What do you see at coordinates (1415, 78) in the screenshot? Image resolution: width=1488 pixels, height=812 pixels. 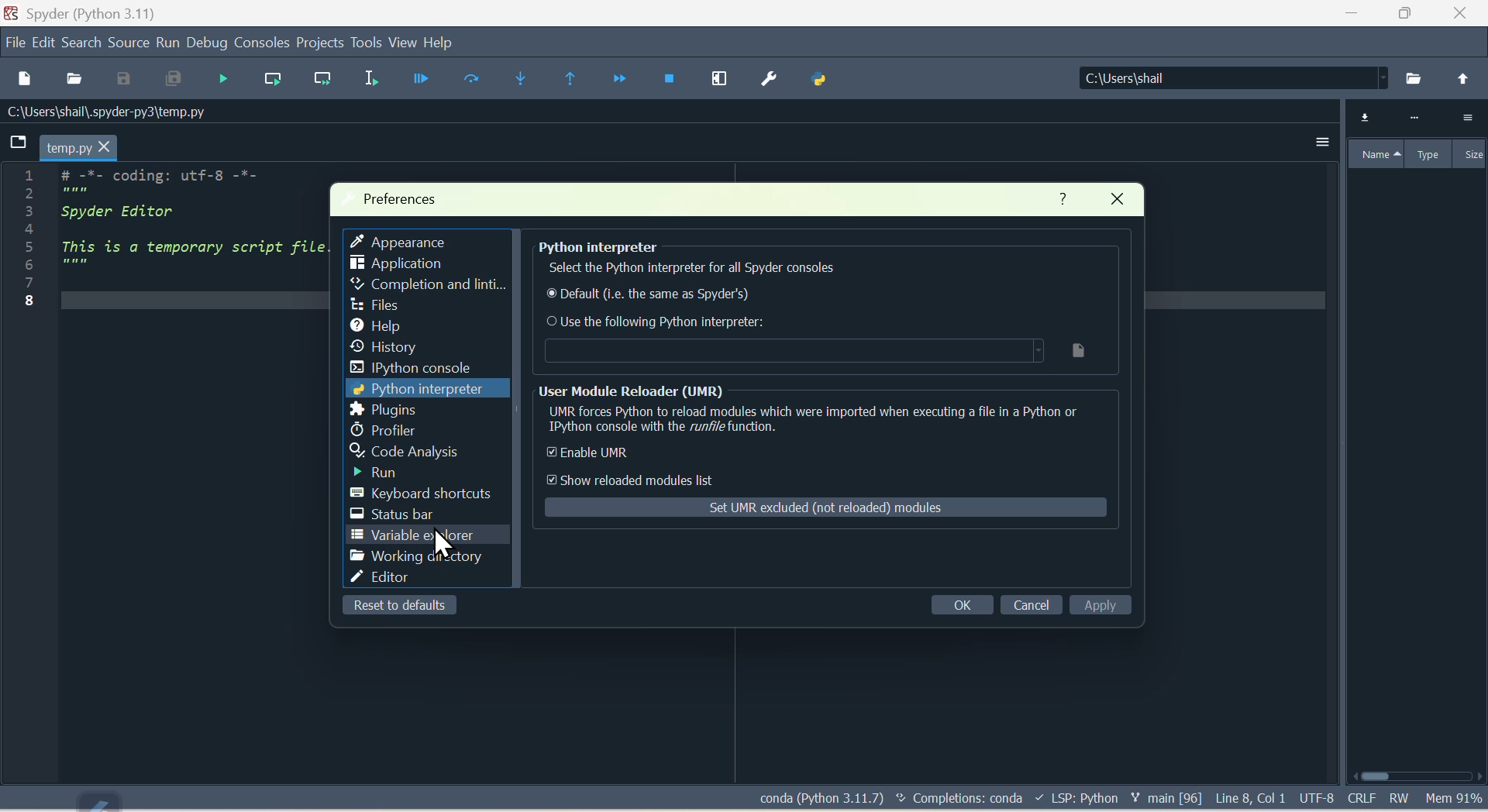 I see `Search from pc` at bounding box center [1415, 78].